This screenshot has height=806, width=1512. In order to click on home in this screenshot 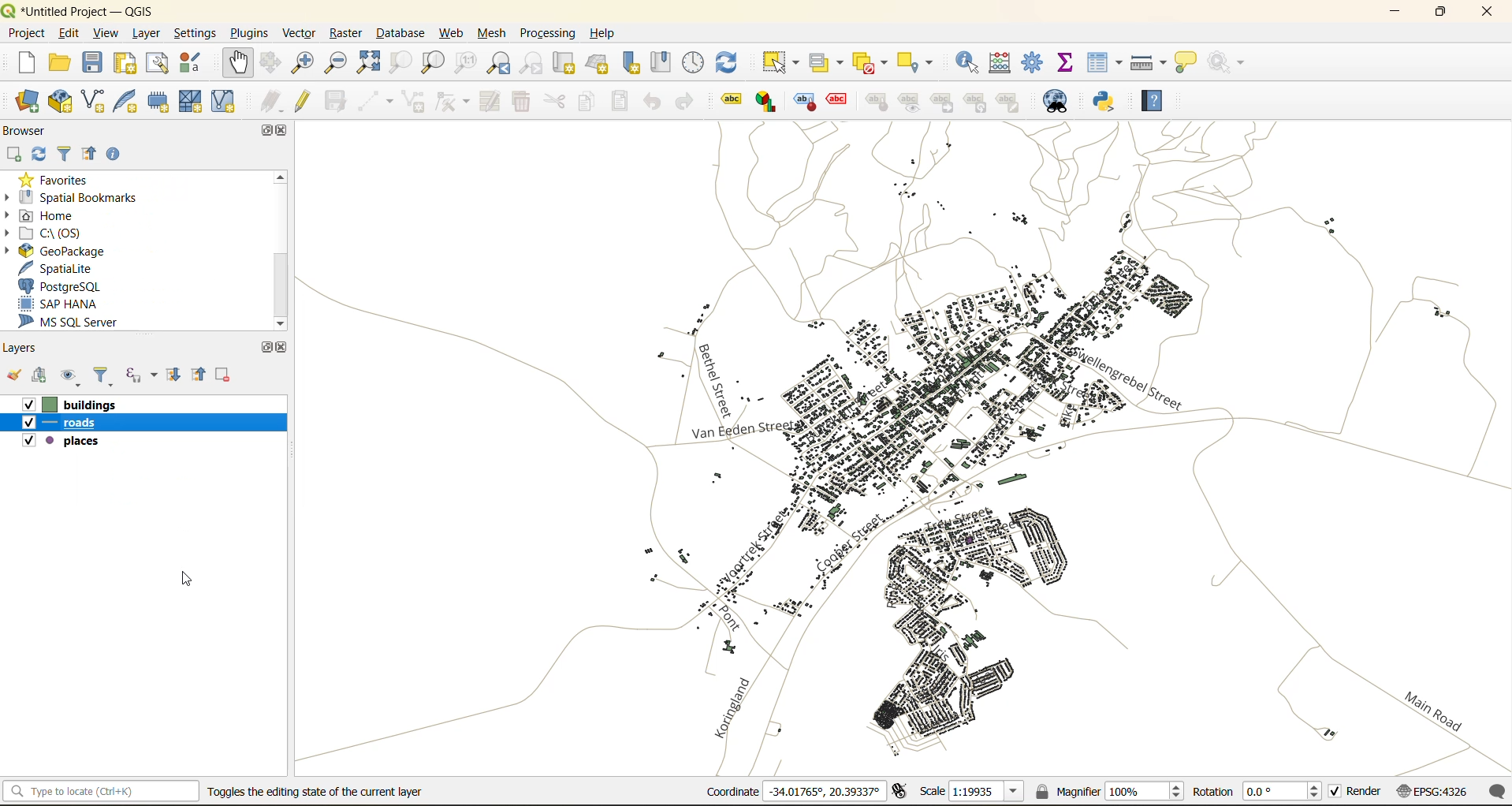, I will do `click(46, 215)`.